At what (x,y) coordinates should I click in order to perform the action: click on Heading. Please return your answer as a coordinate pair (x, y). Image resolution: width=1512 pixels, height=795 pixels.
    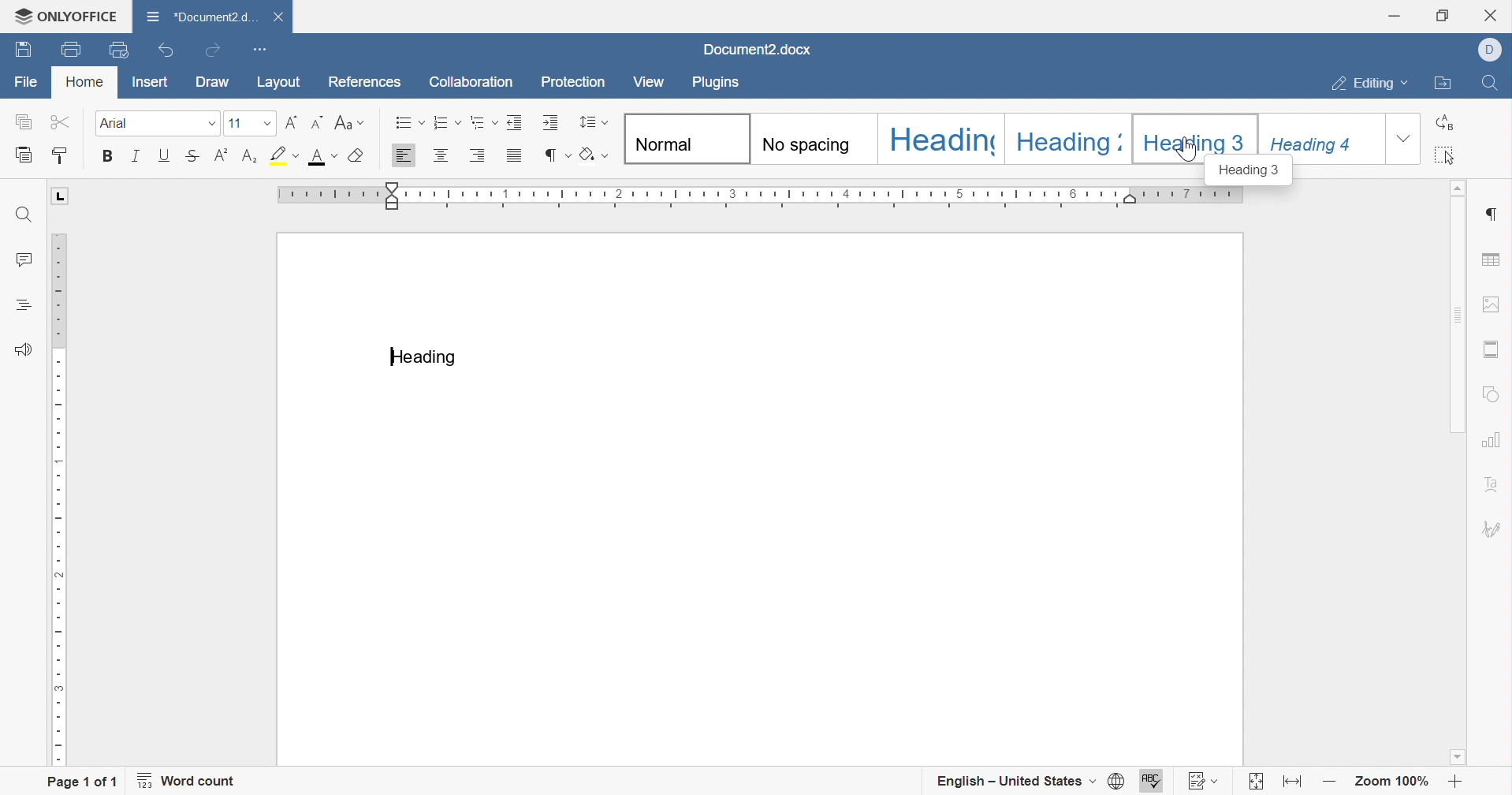
    Looking at the image, I should click on (940, 140).